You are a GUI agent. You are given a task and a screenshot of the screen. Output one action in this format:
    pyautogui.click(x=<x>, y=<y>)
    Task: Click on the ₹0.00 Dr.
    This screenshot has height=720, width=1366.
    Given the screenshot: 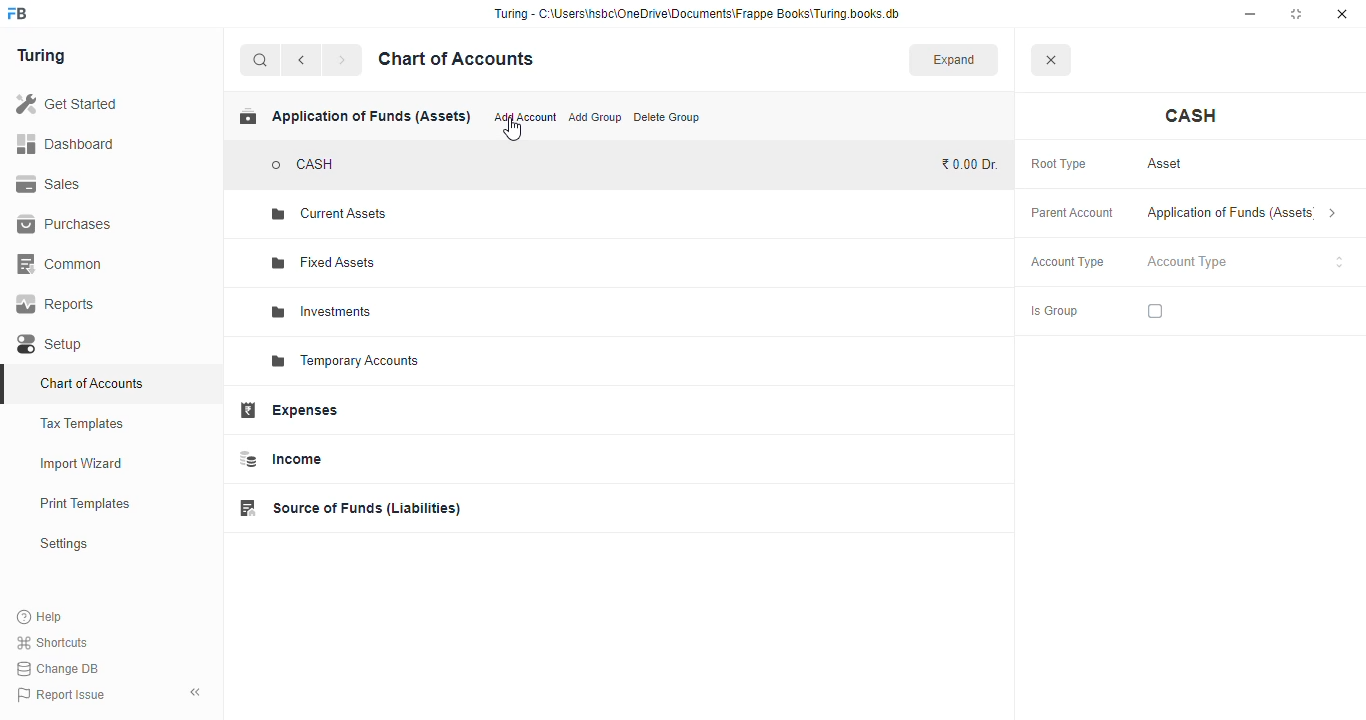 What is the action you would take?
    pyautogui.click(x=970, y=165)
    